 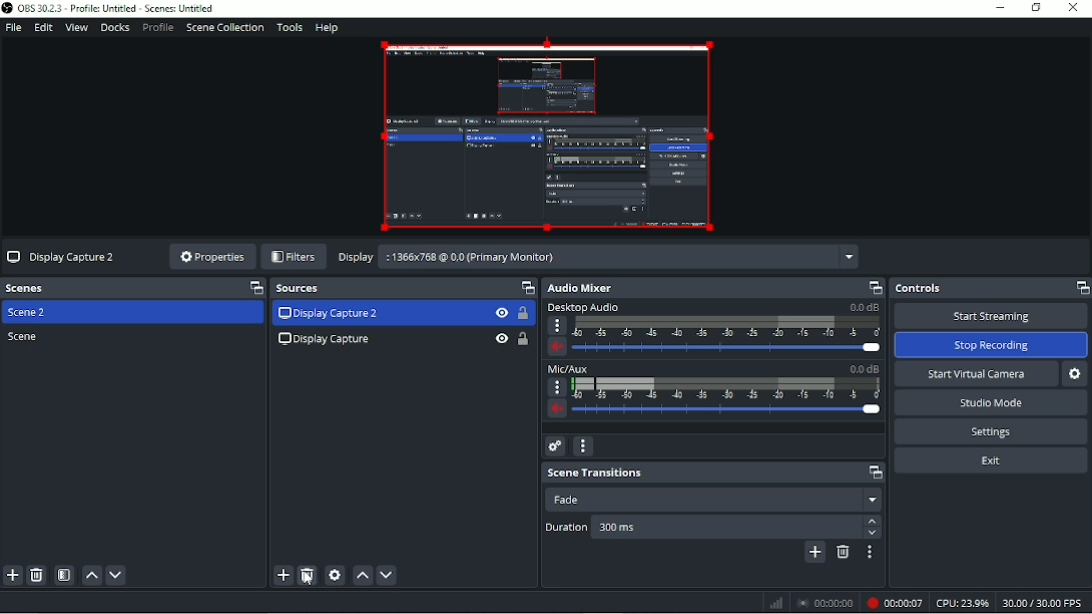 What do you see at coordinates (816, 553) in the screenshot?
I see `Add configurable transition` at bounding box center [816, 553].